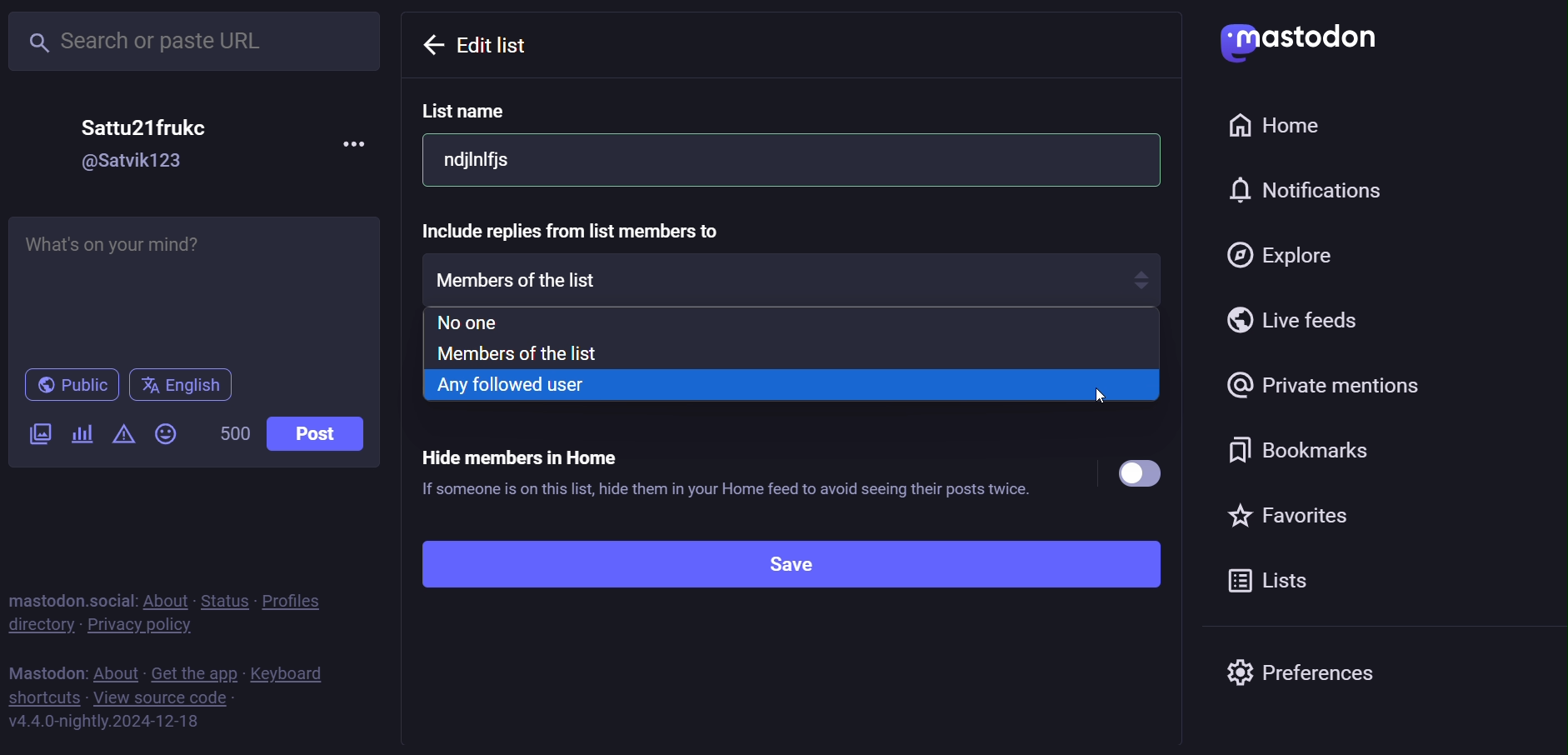 The image size is (1568, 755). I want to click on Sattu21frukc, so click(144, 123).